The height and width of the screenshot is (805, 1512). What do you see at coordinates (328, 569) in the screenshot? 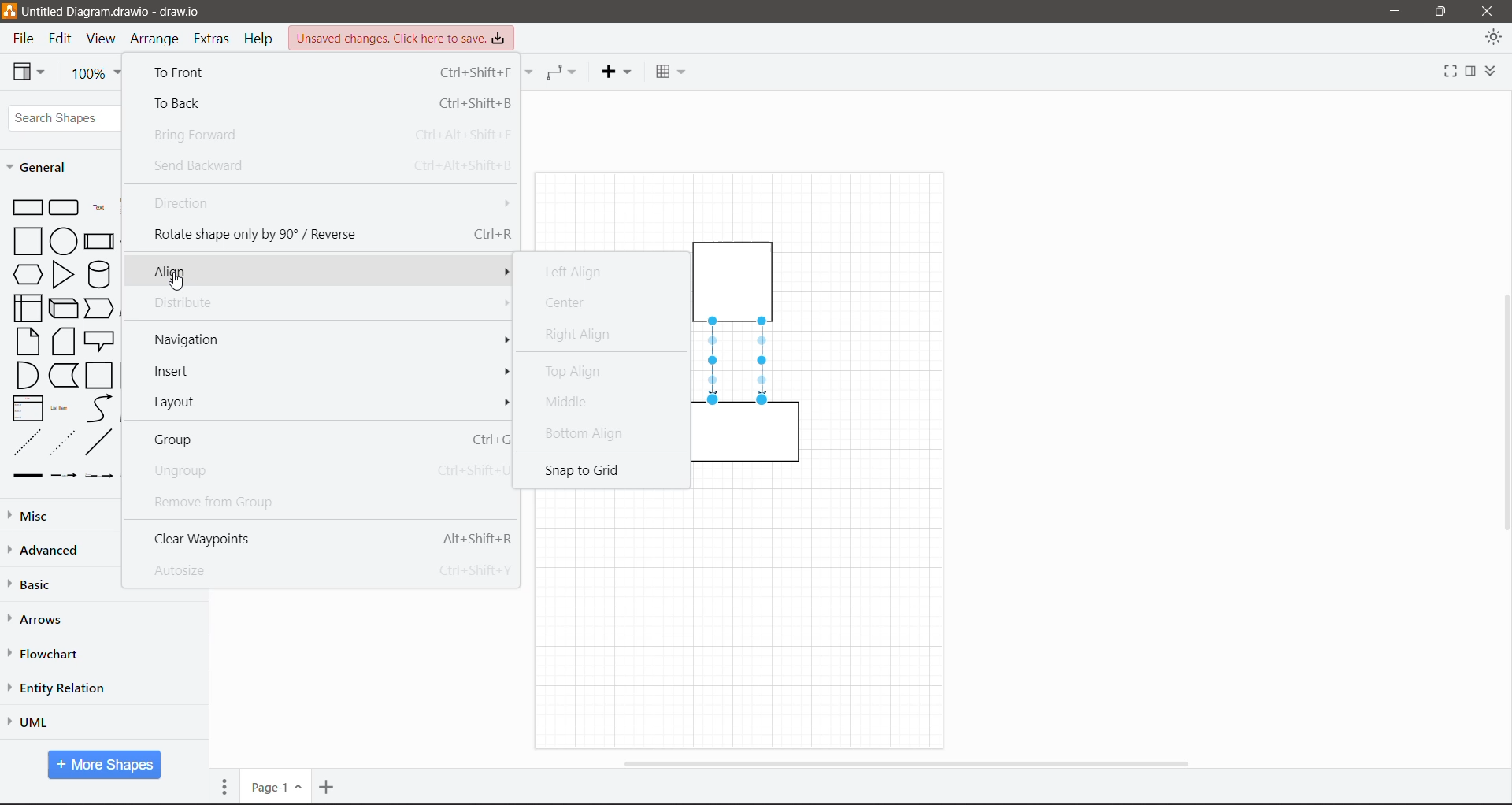
I see `Autosize` at bounding box center [328, 569].